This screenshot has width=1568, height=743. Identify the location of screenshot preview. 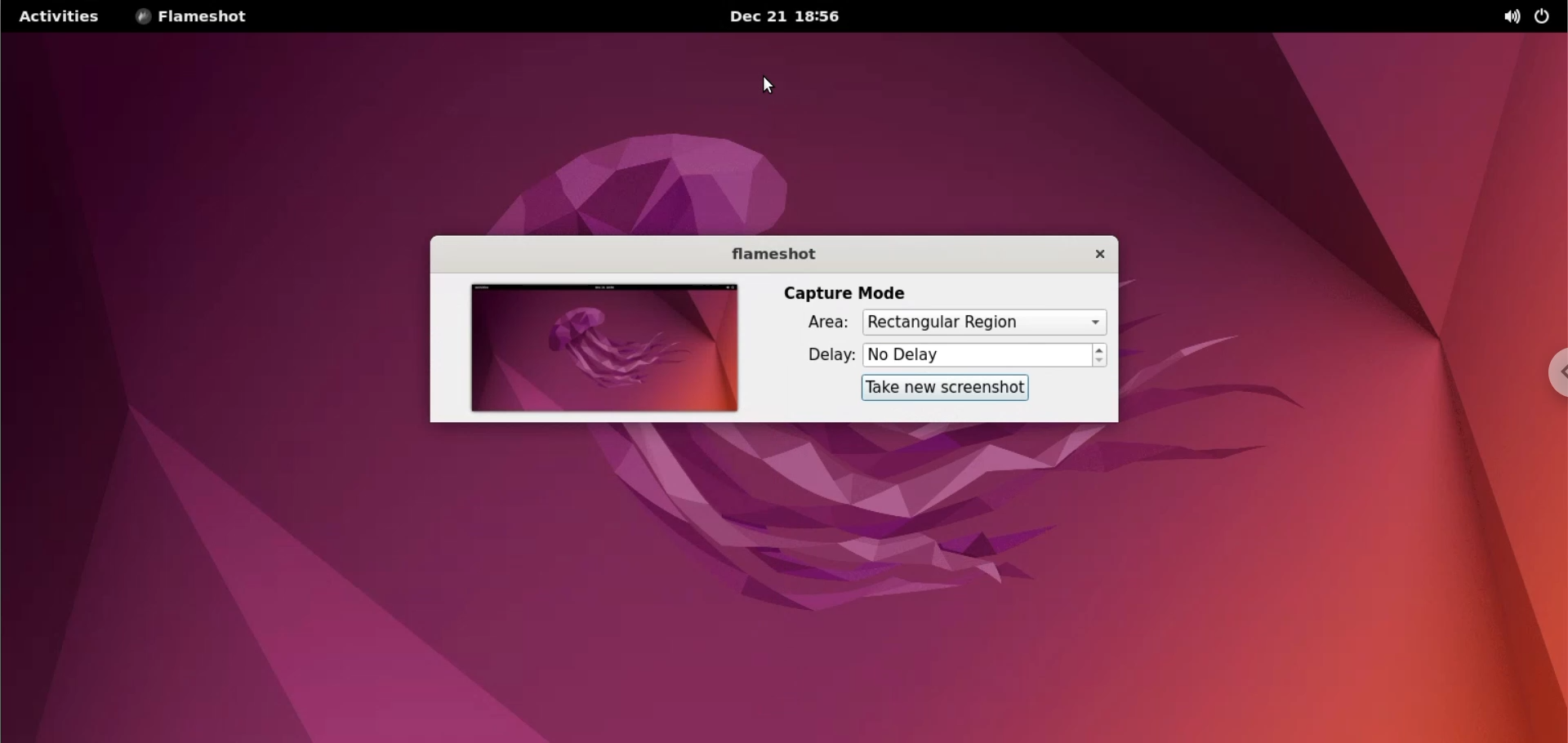
(596, 349).